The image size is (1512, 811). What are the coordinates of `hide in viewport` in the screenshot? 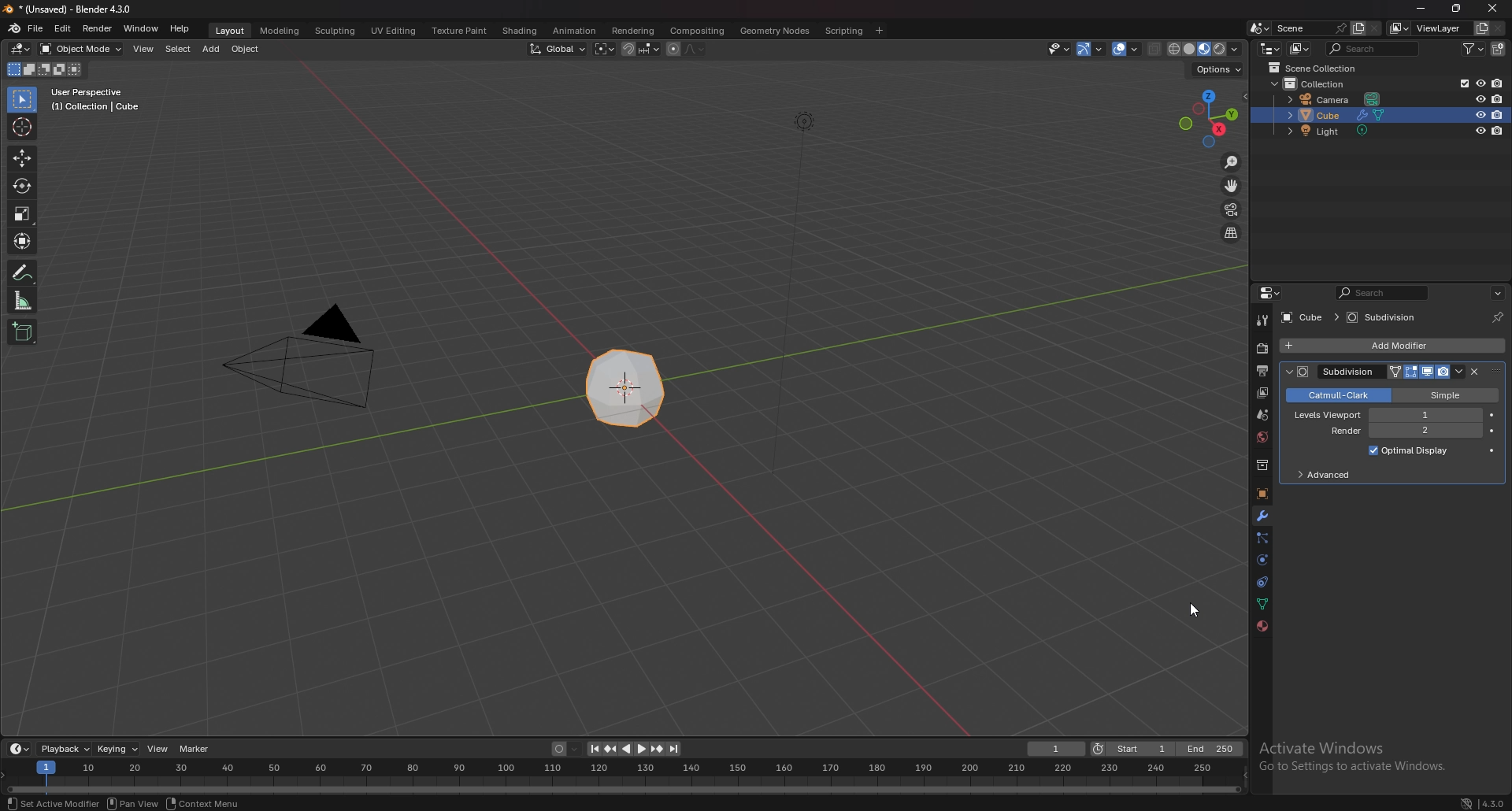 It's located at (1480, 98).